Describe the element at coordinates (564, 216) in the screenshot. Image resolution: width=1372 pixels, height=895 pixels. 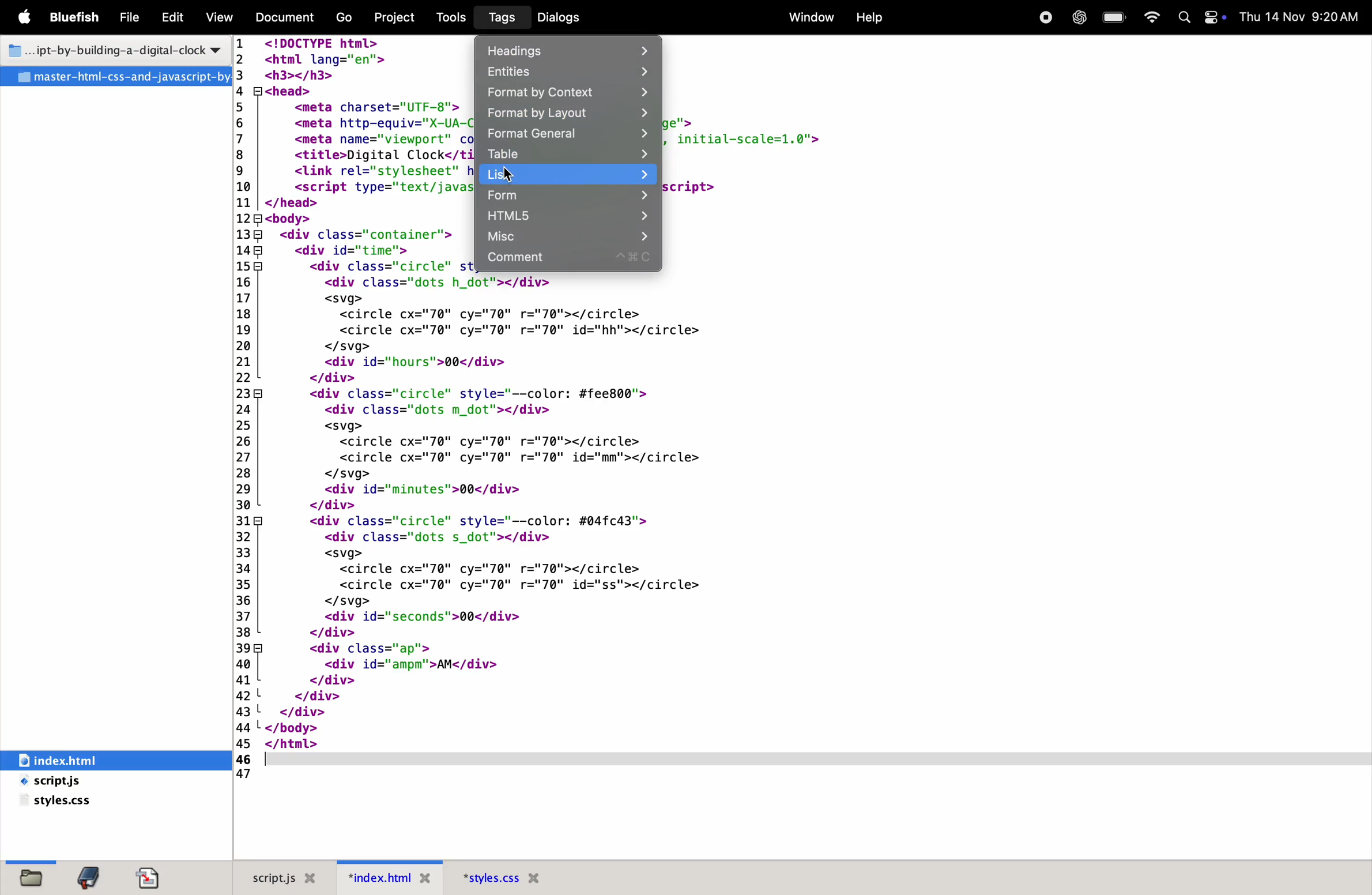
I see `HTML 5` at that location.